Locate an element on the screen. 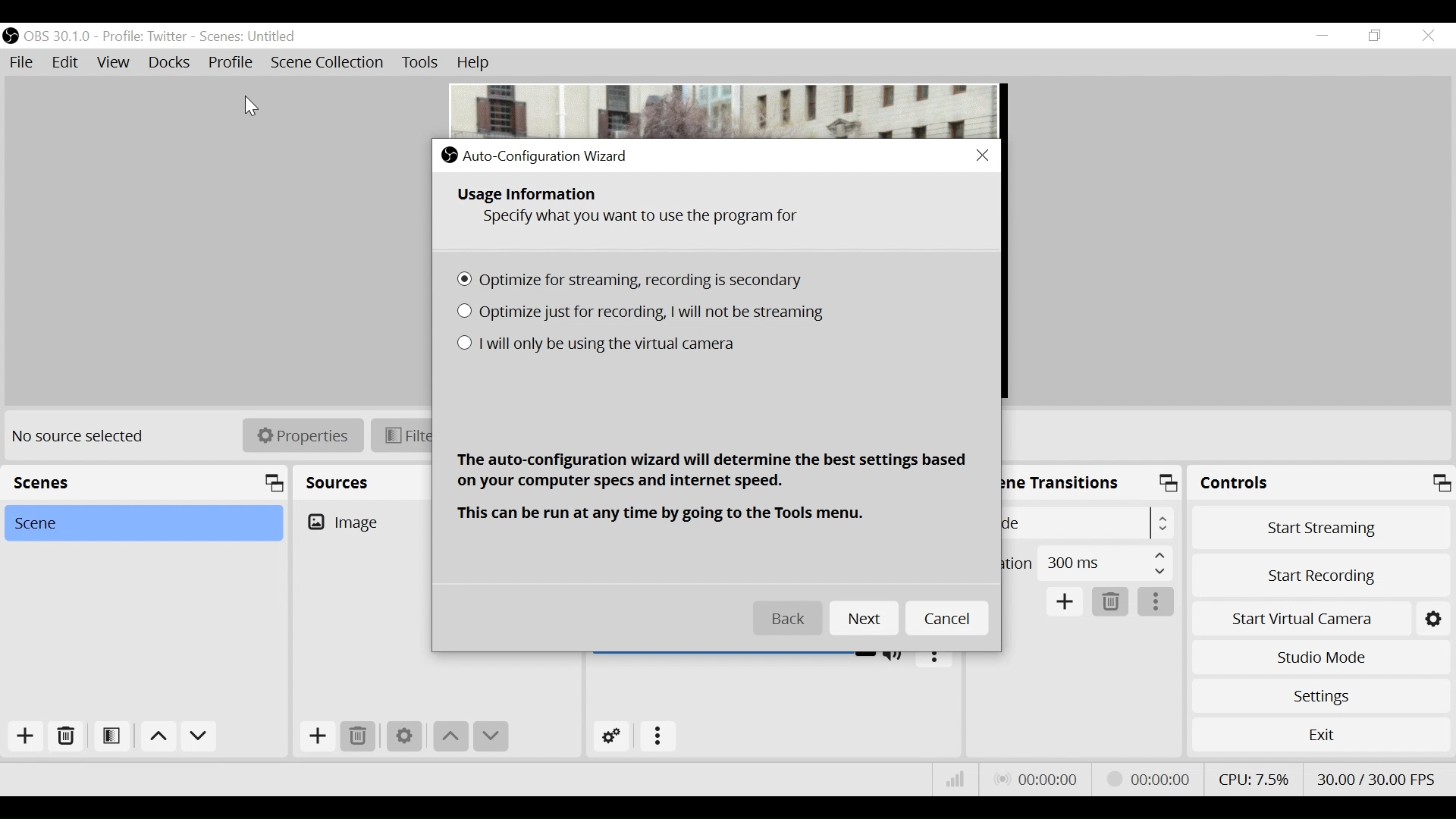 The image size is (1456, 819). This can be run at any time by going to the Tools manu is located at coordinates (664, 513).